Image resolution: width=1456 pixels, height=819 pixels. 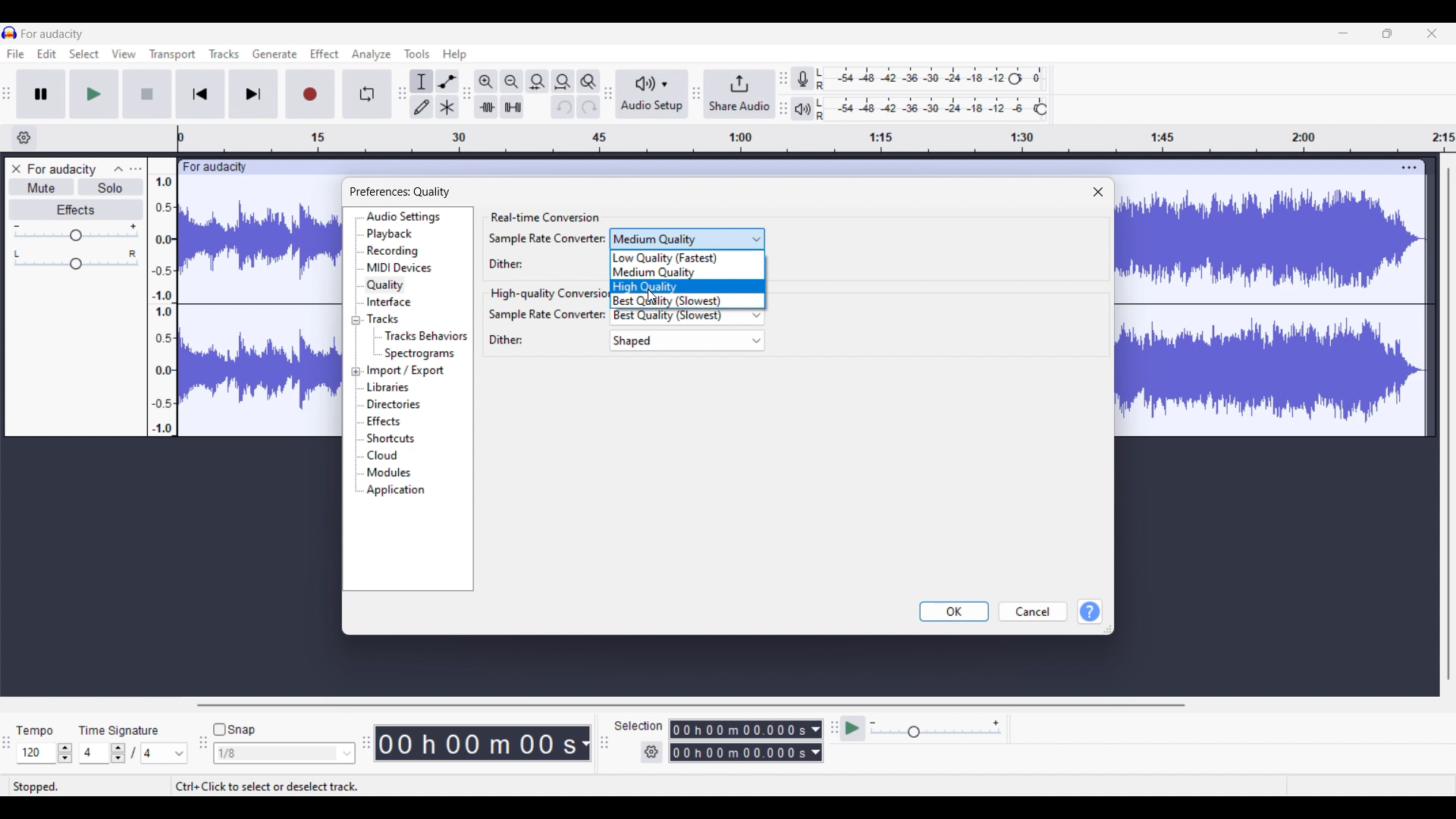 I want to click on Indicates inputs for each setting, so click(x=548, y=251).